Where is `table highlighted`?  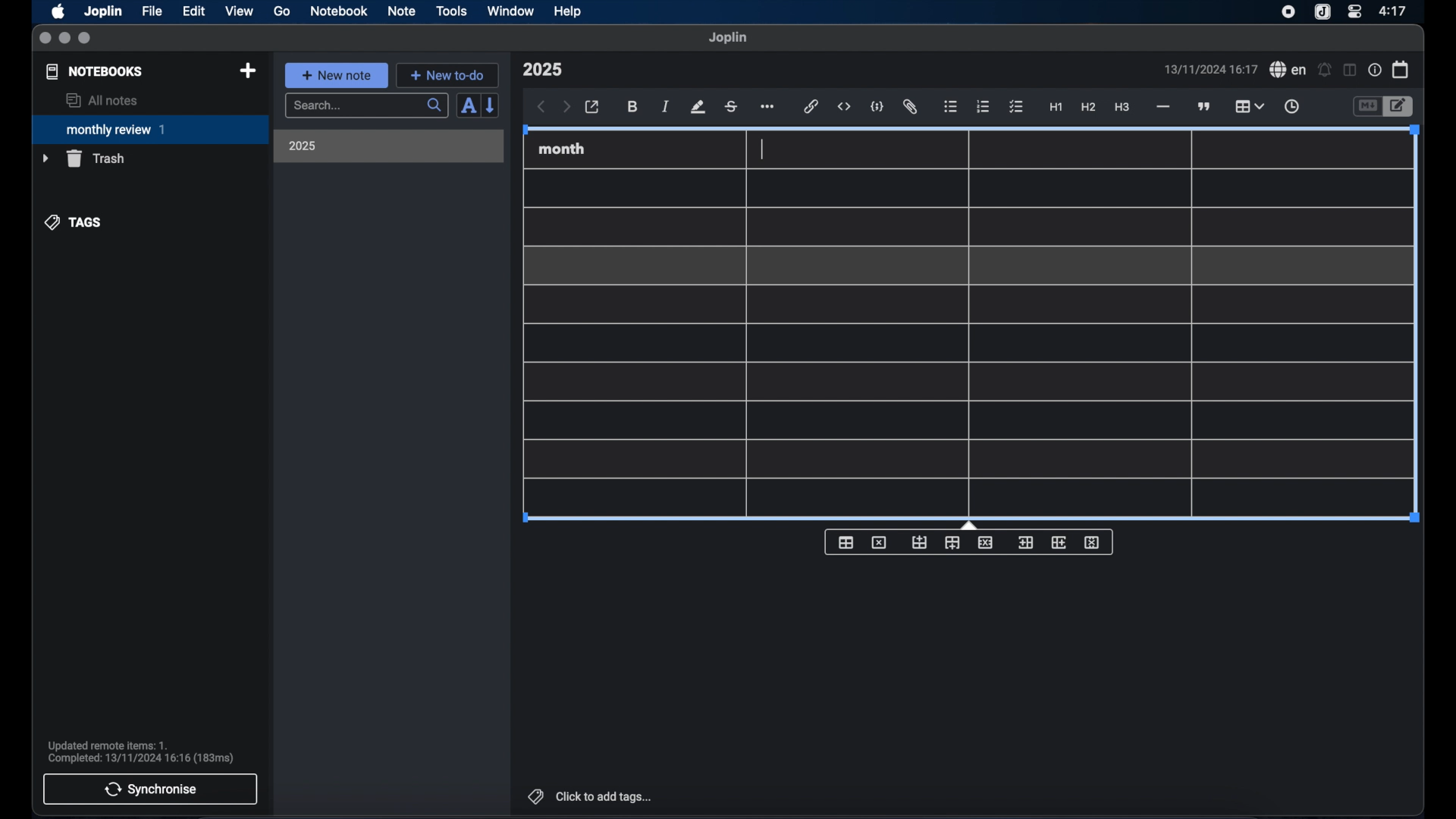 table highlighted is located at coordinates (1247, 106).